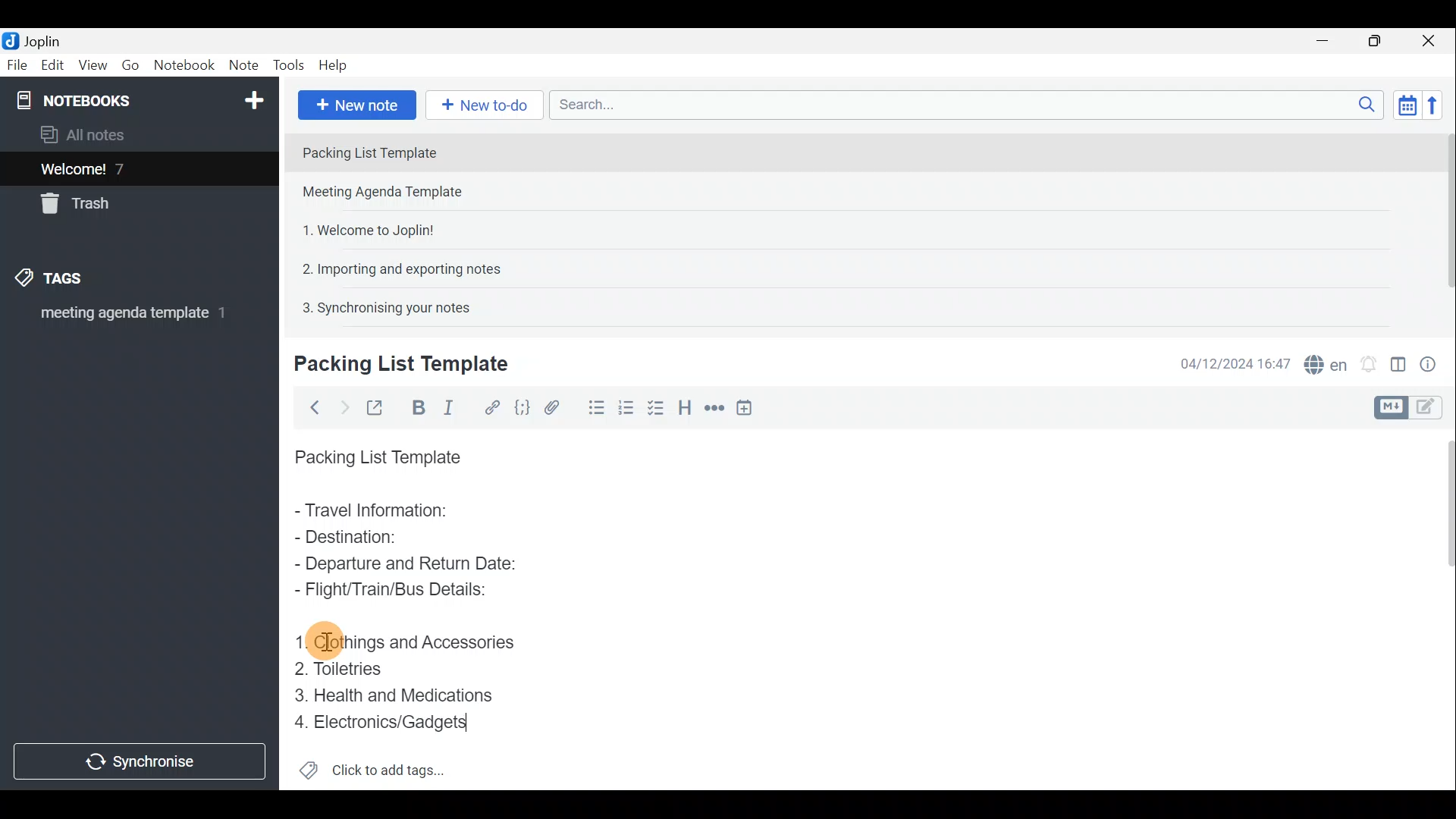 This screenshot has height=819, width=1456. What do you see at coordinates (137, 99) in the screenshot?
I see `Notebook` at bounding box center [137, 99].